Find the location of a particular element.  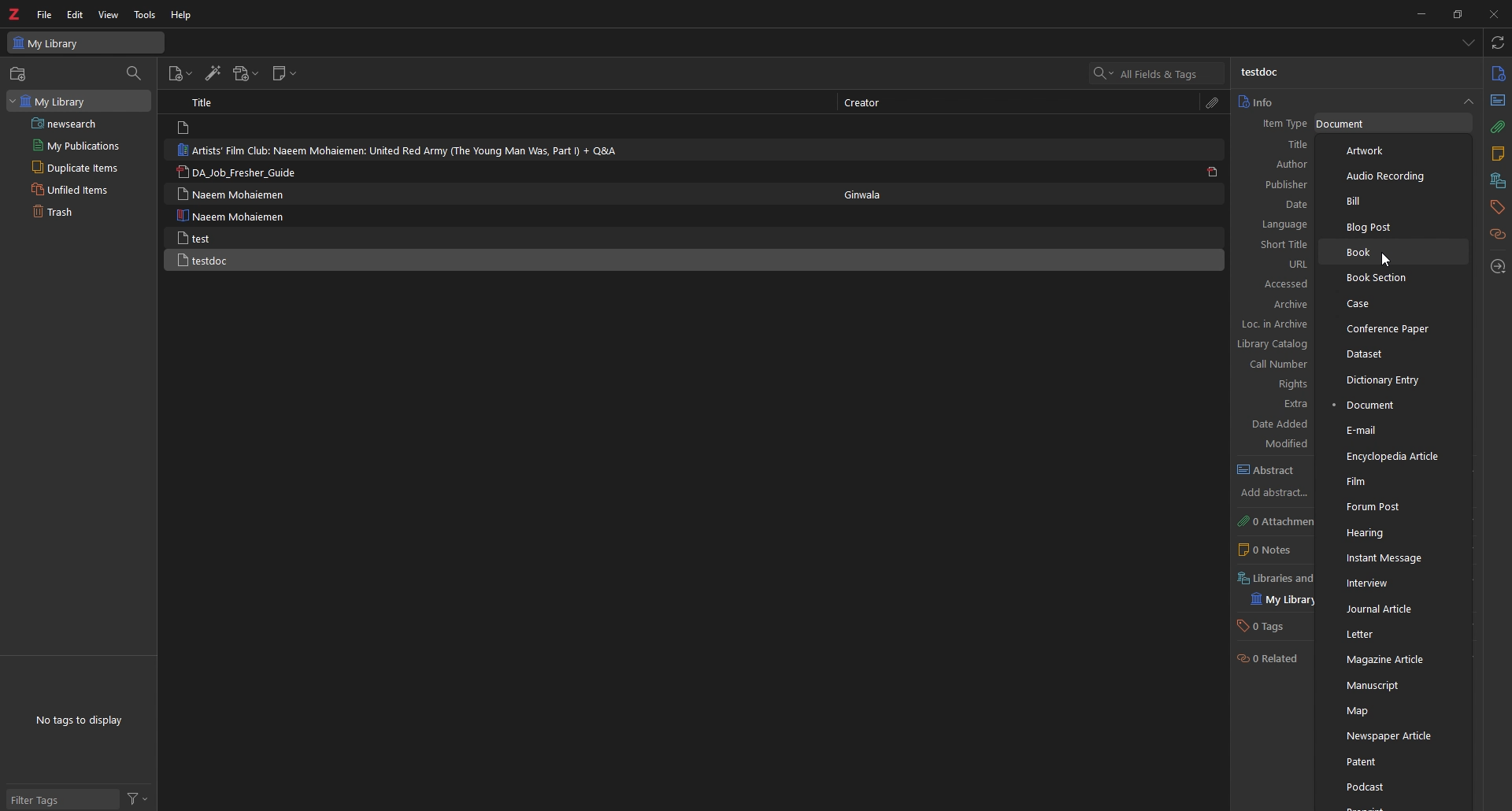

Accessed is located at coordinates (1283, 284).